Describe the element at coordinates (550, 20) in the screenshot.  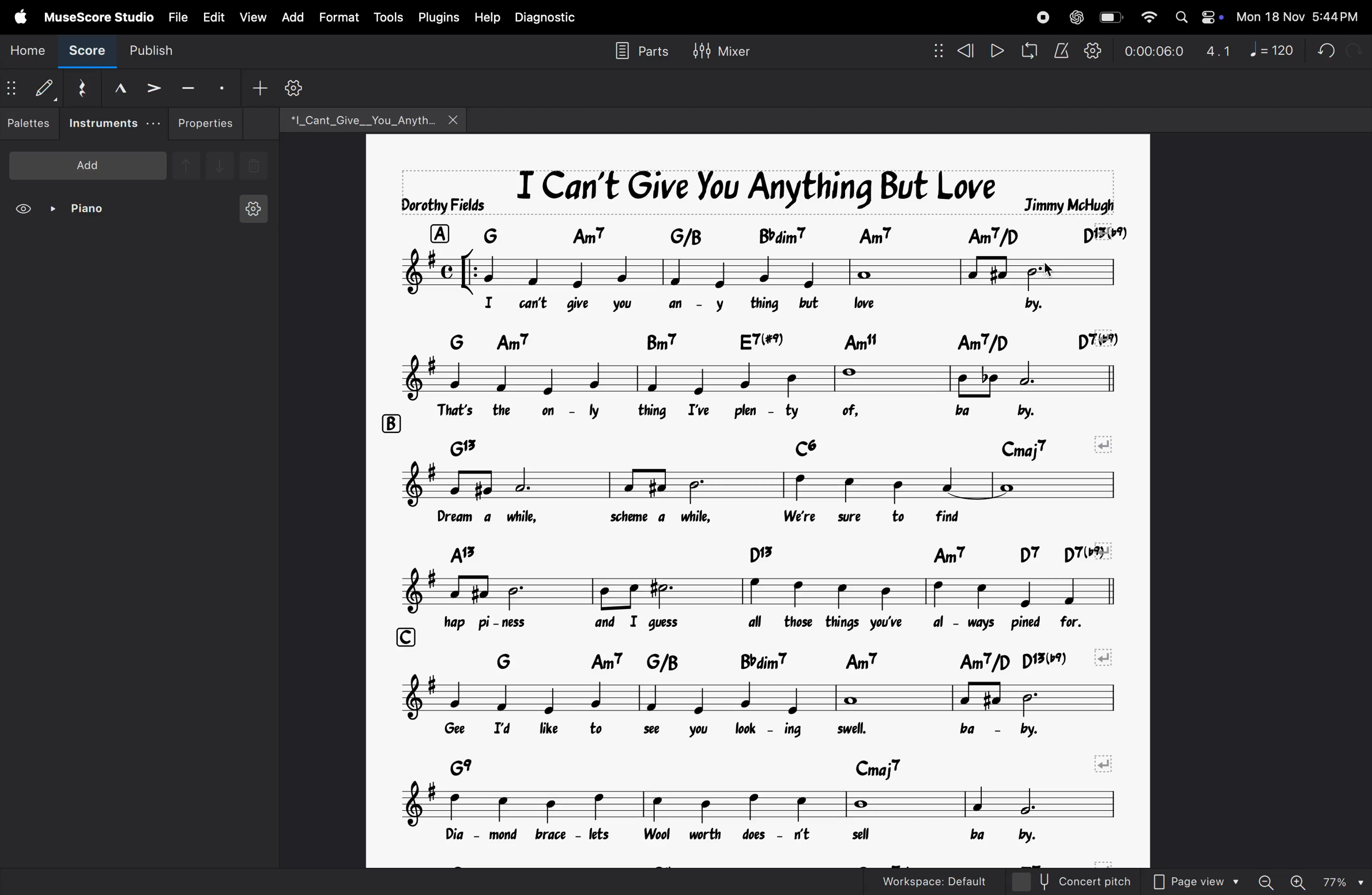
I see `diagnostic` at that location.